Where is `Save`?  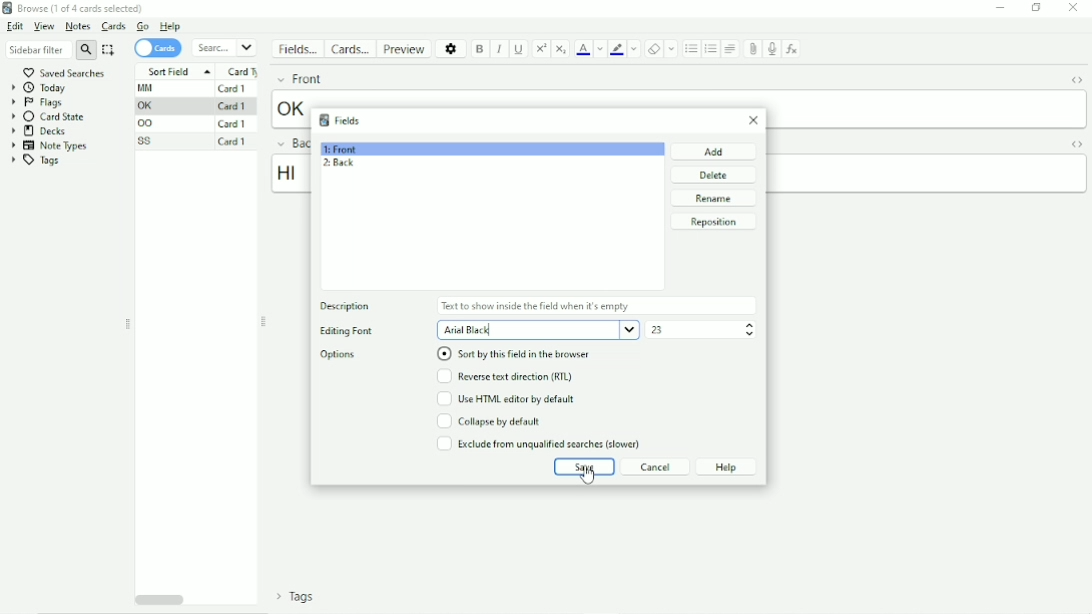
Save is located at coordinates (584, 466).